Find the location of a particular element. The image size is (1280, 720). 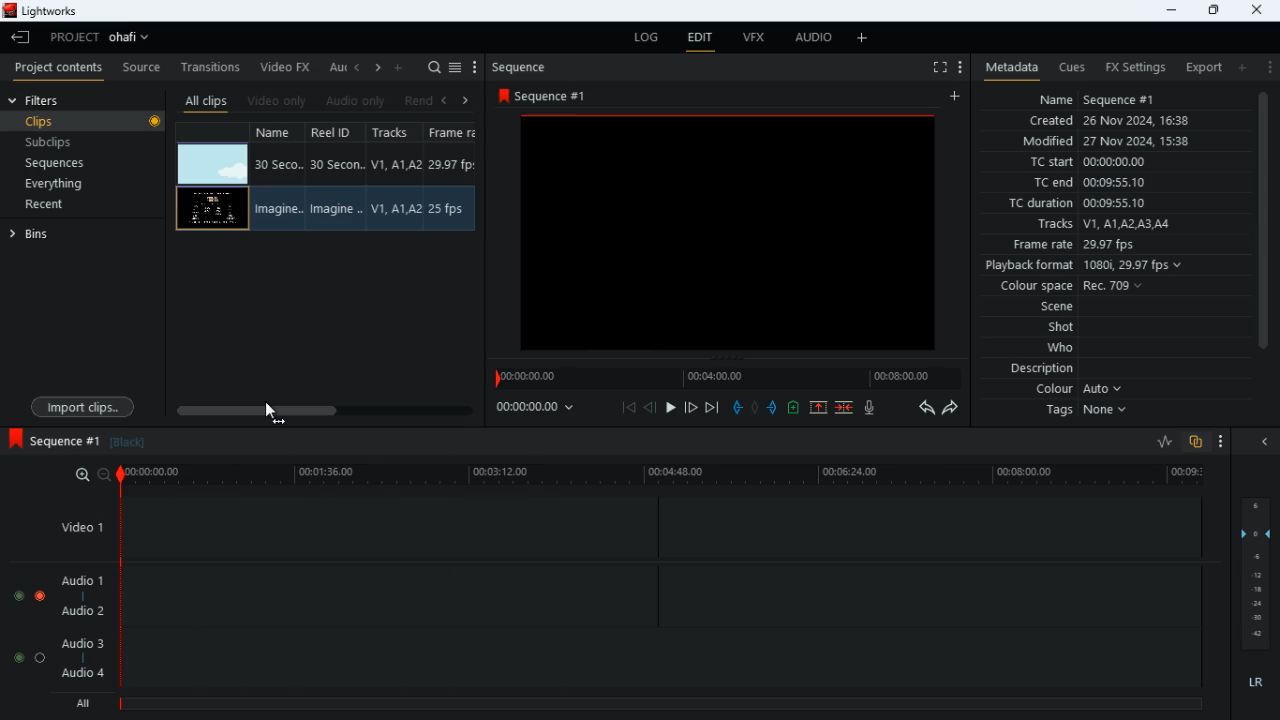

Sequence #1 is located at coordinates (55, 440).